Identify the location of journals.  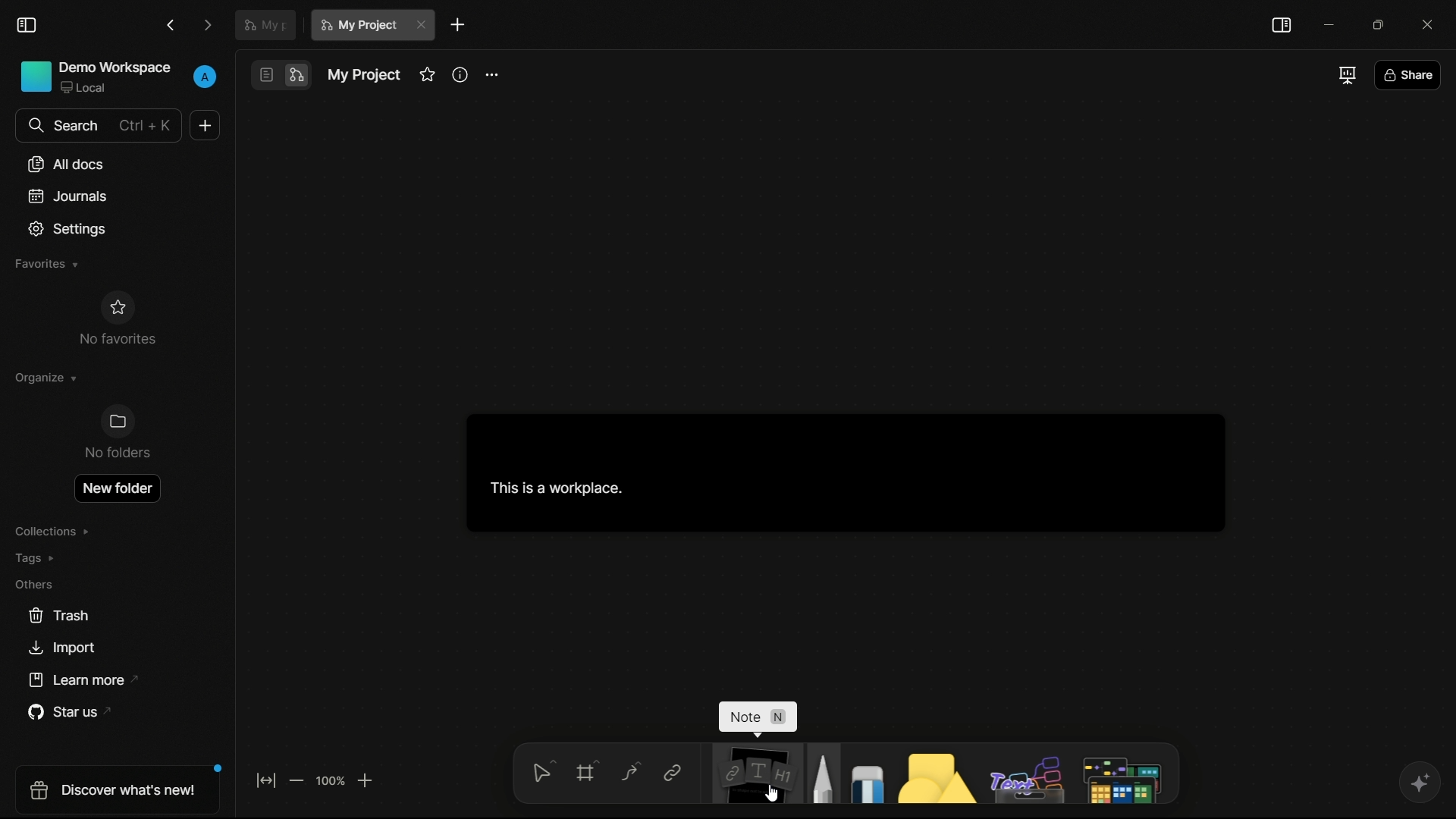
(67, 194).